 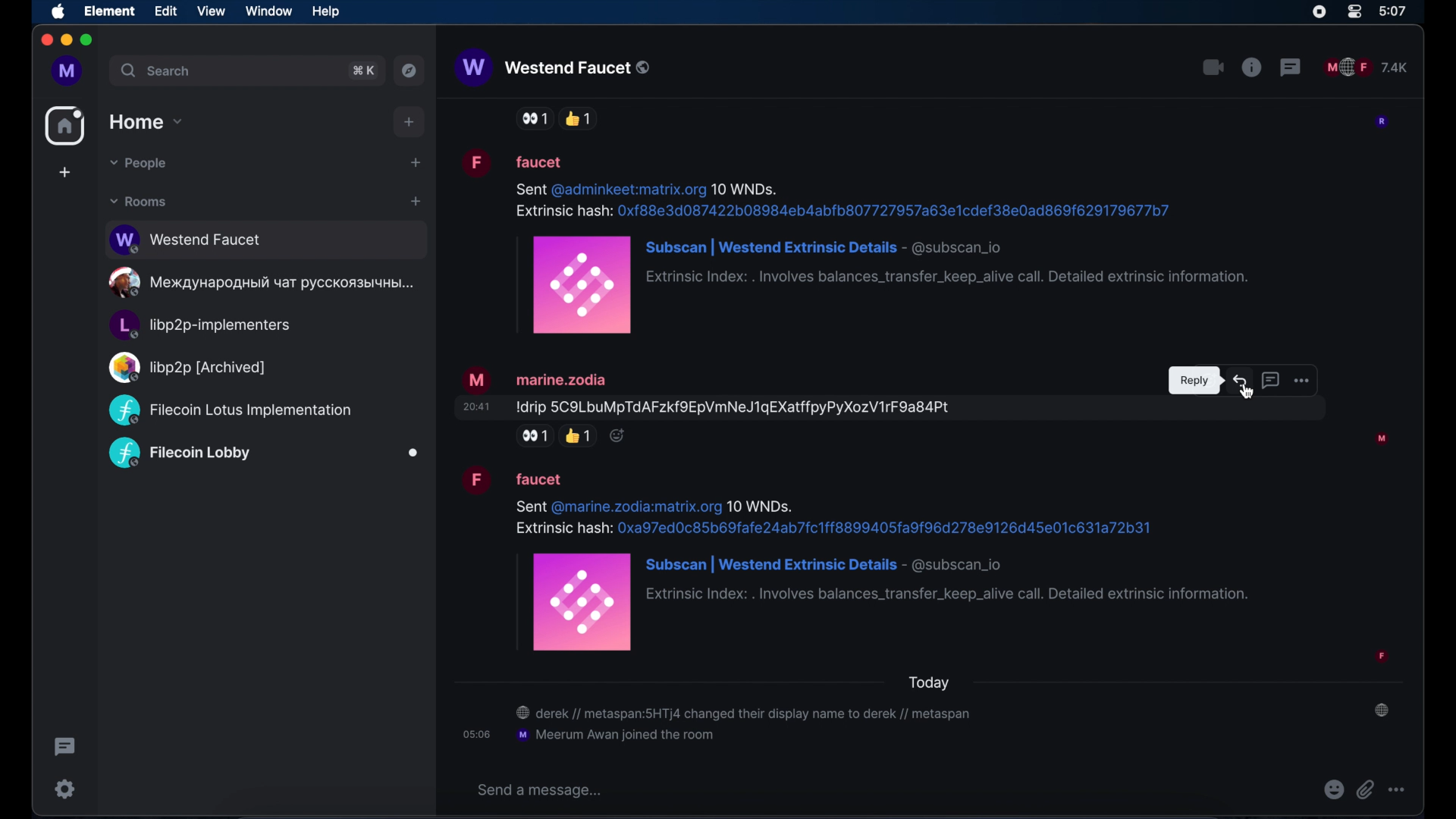 I want to click on add, so click(x=409, y=121).